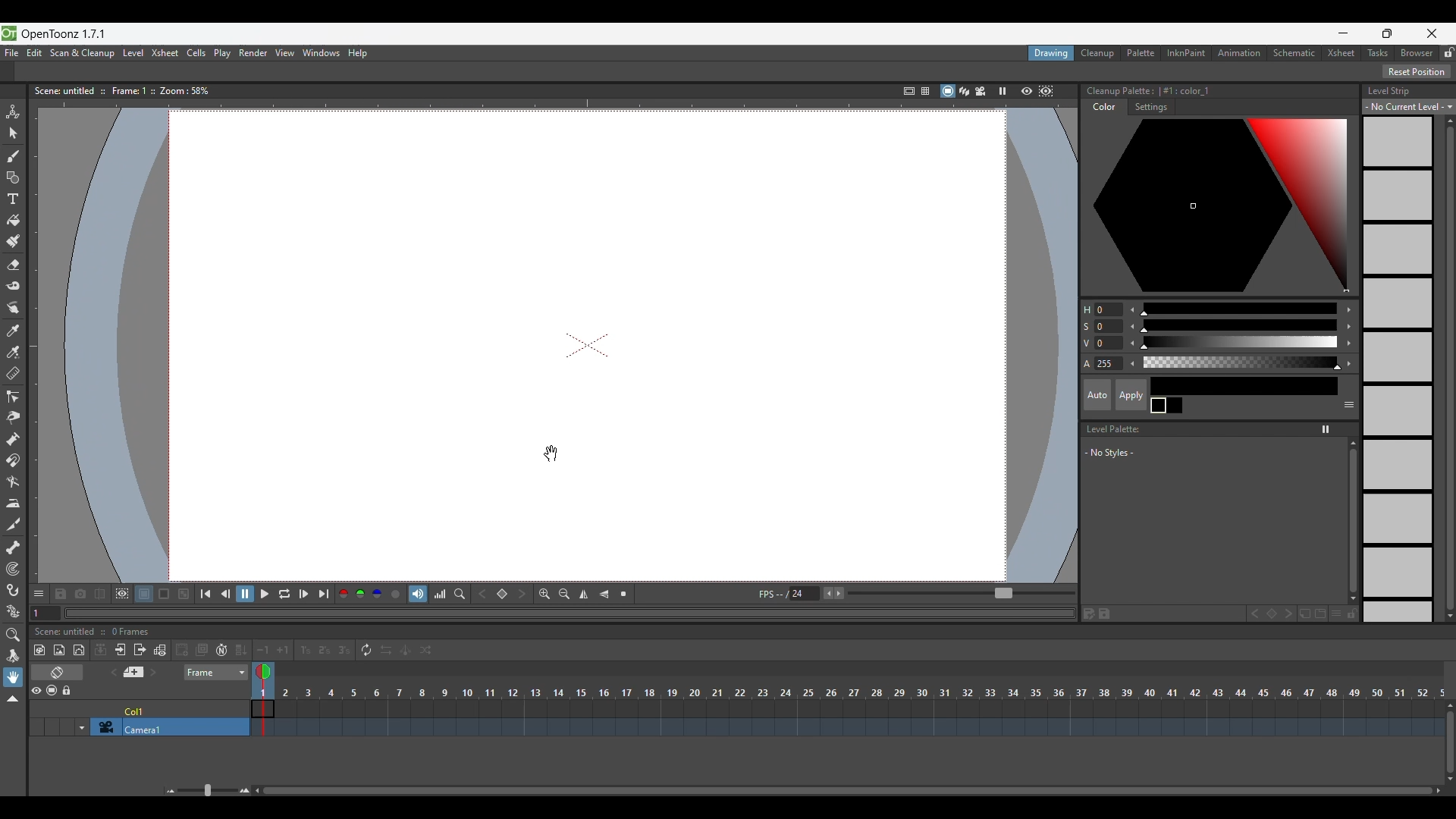  I want to click on Fill in empty cells, so click(241, 650).